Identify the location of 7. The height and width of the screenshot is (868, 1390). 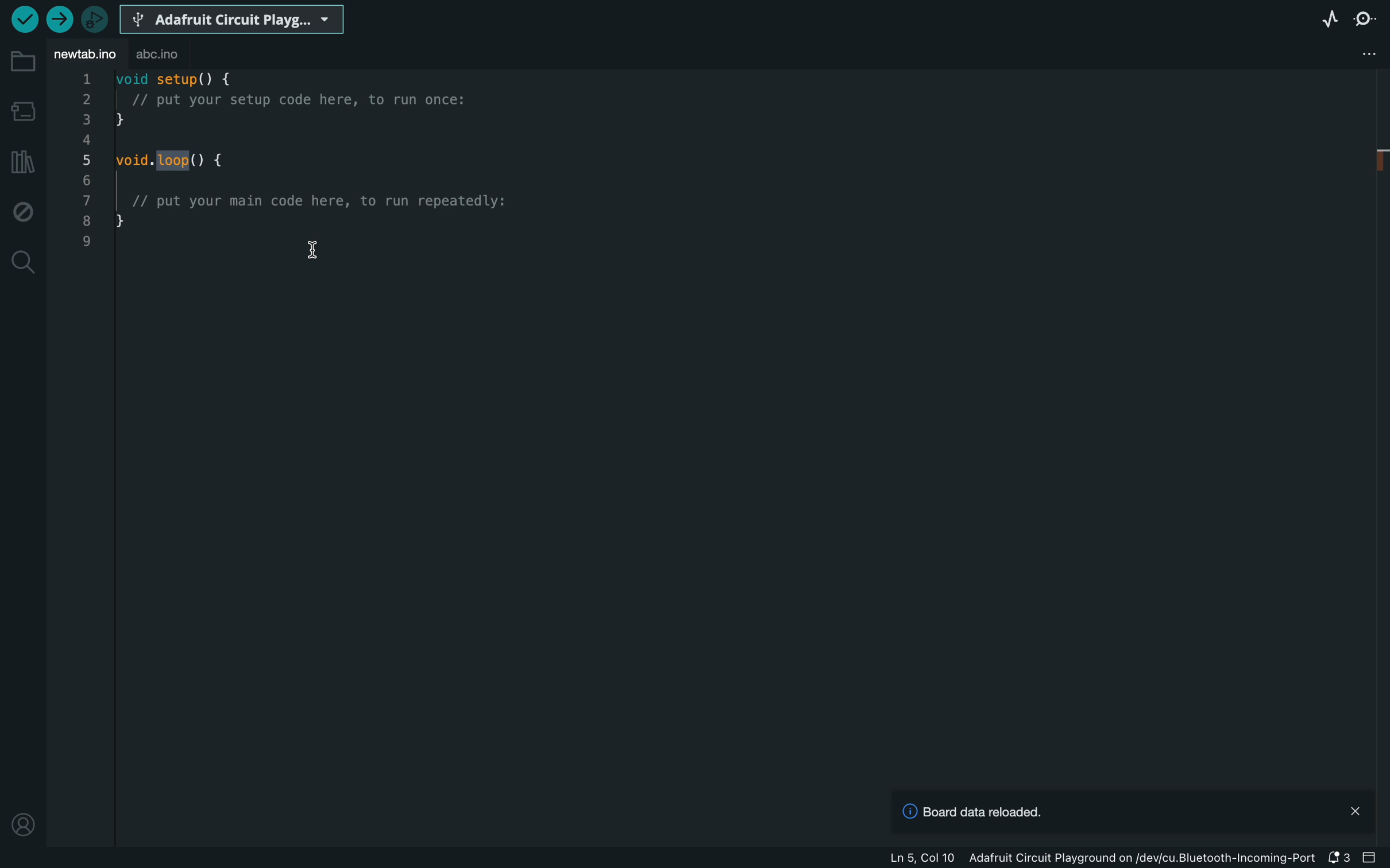
(86, 200).